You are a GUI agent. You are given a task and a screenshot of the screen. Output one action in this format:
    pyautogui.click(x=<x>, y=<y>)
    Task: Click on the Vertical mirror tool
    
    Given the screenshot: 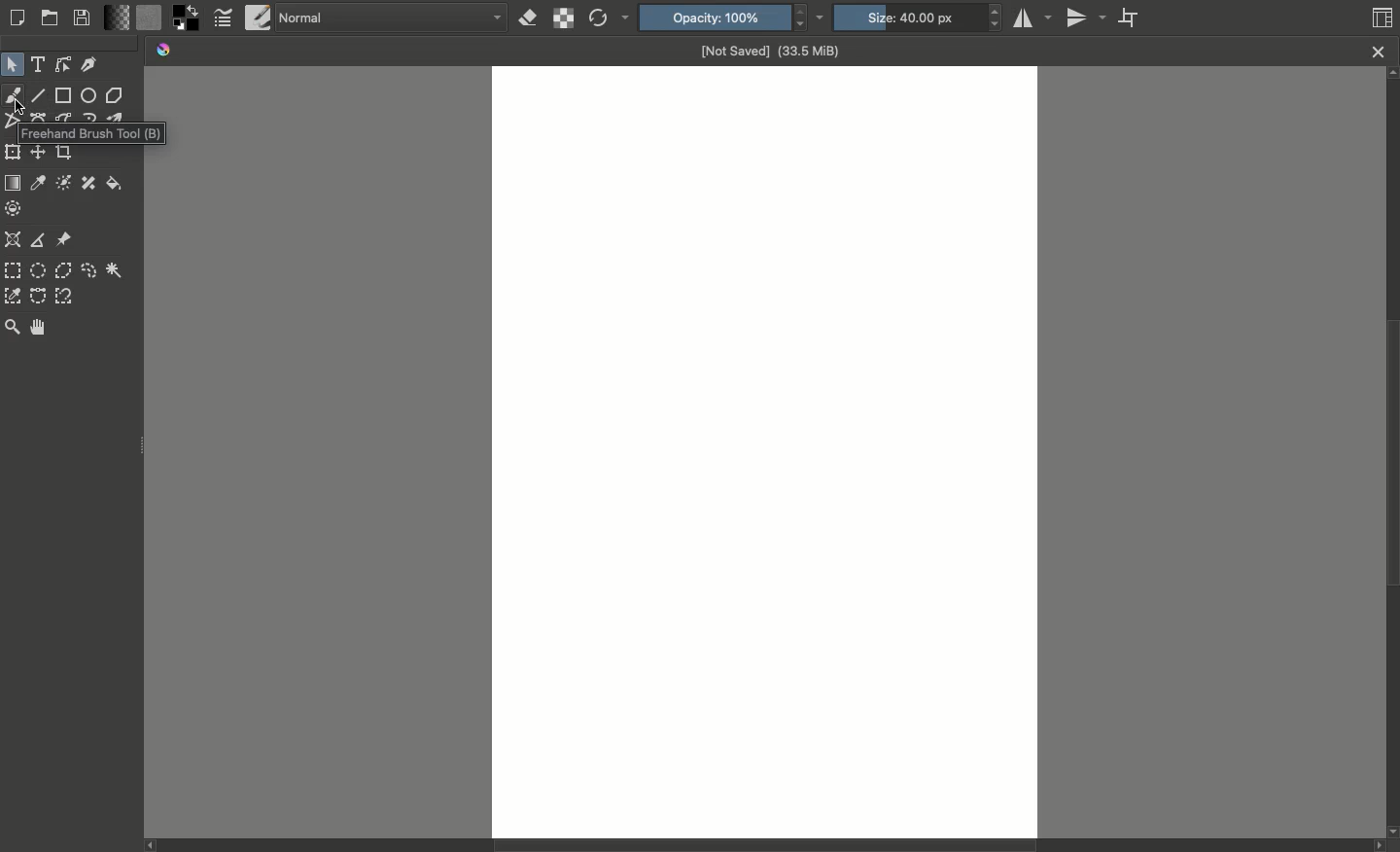 What is the action you would take?
    pyautogui.click(x=1089, y=17)
    